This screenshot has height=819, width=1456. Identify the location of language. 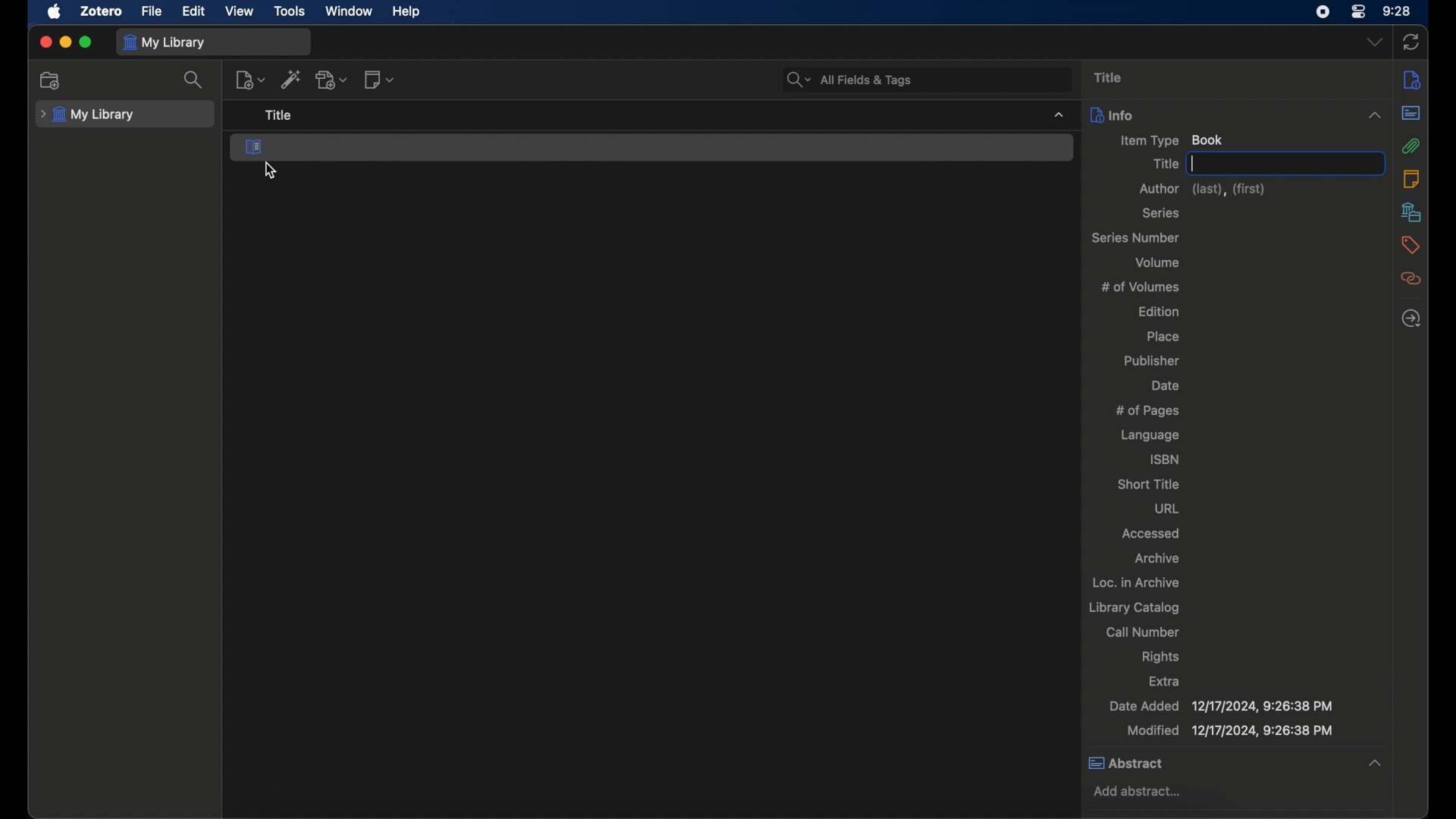
(1151, 435).